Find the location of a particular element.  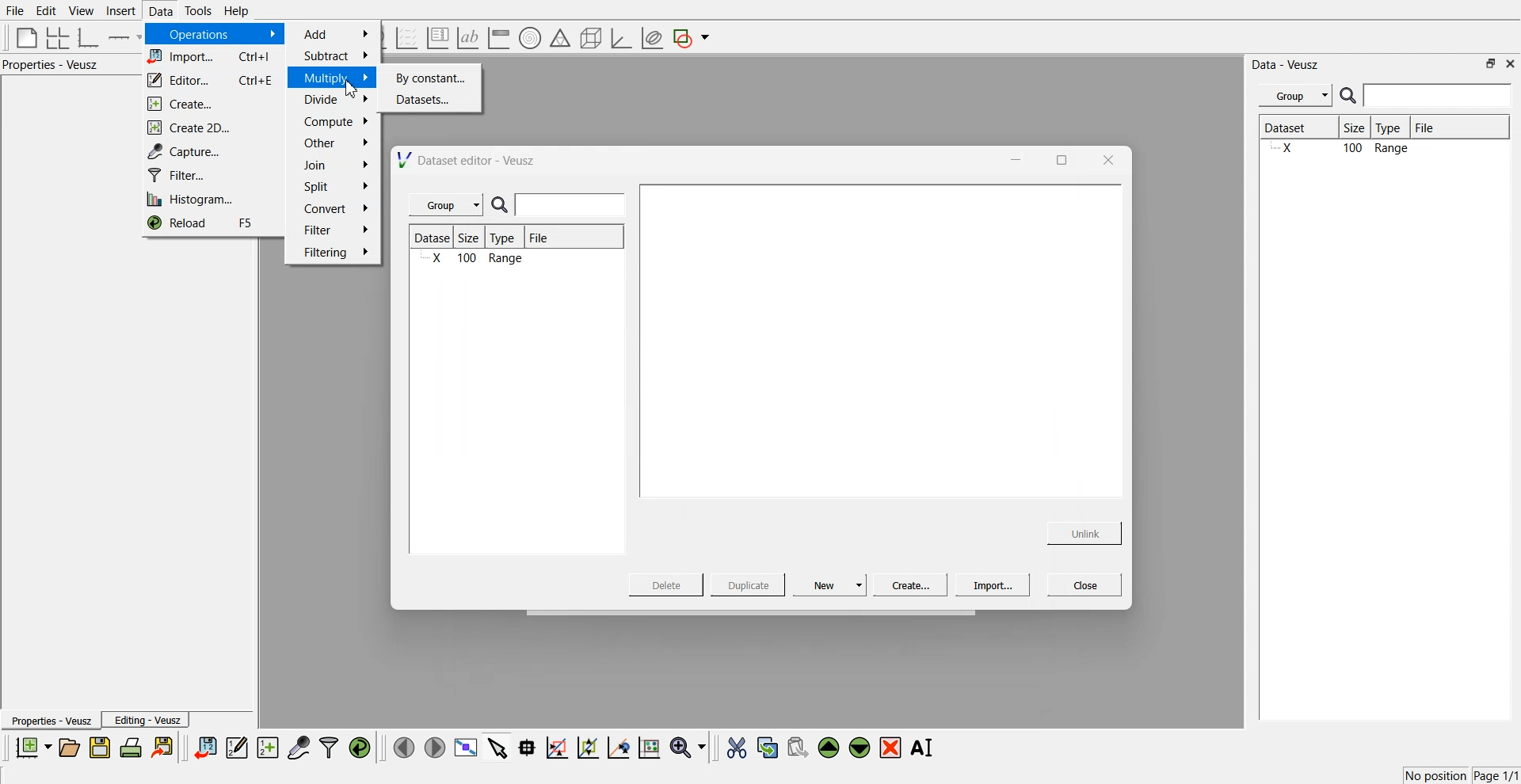

Size is located at coordinates (474, 238).